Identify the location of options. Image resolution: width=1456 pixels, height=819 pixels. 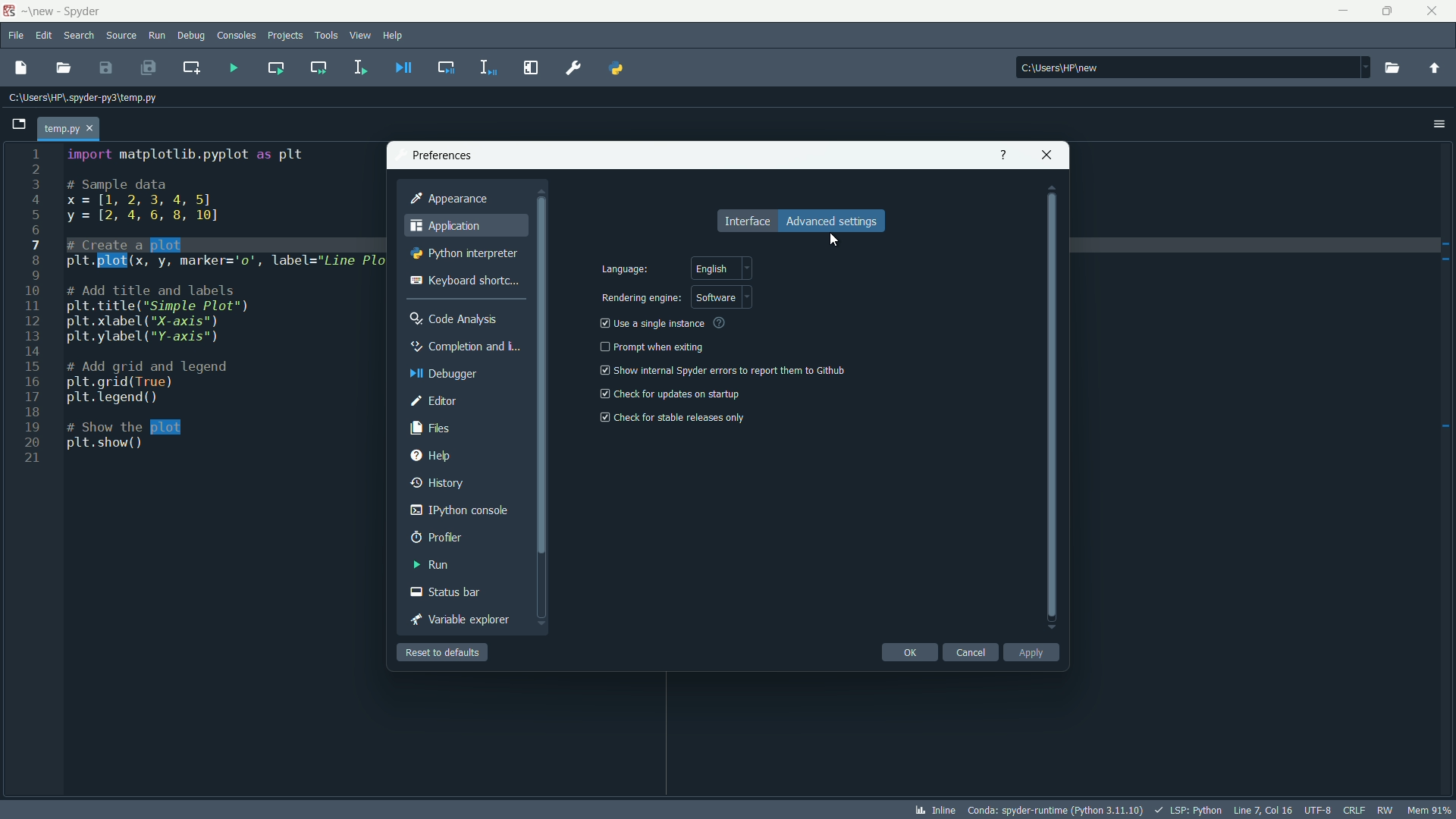
(1439, 123).